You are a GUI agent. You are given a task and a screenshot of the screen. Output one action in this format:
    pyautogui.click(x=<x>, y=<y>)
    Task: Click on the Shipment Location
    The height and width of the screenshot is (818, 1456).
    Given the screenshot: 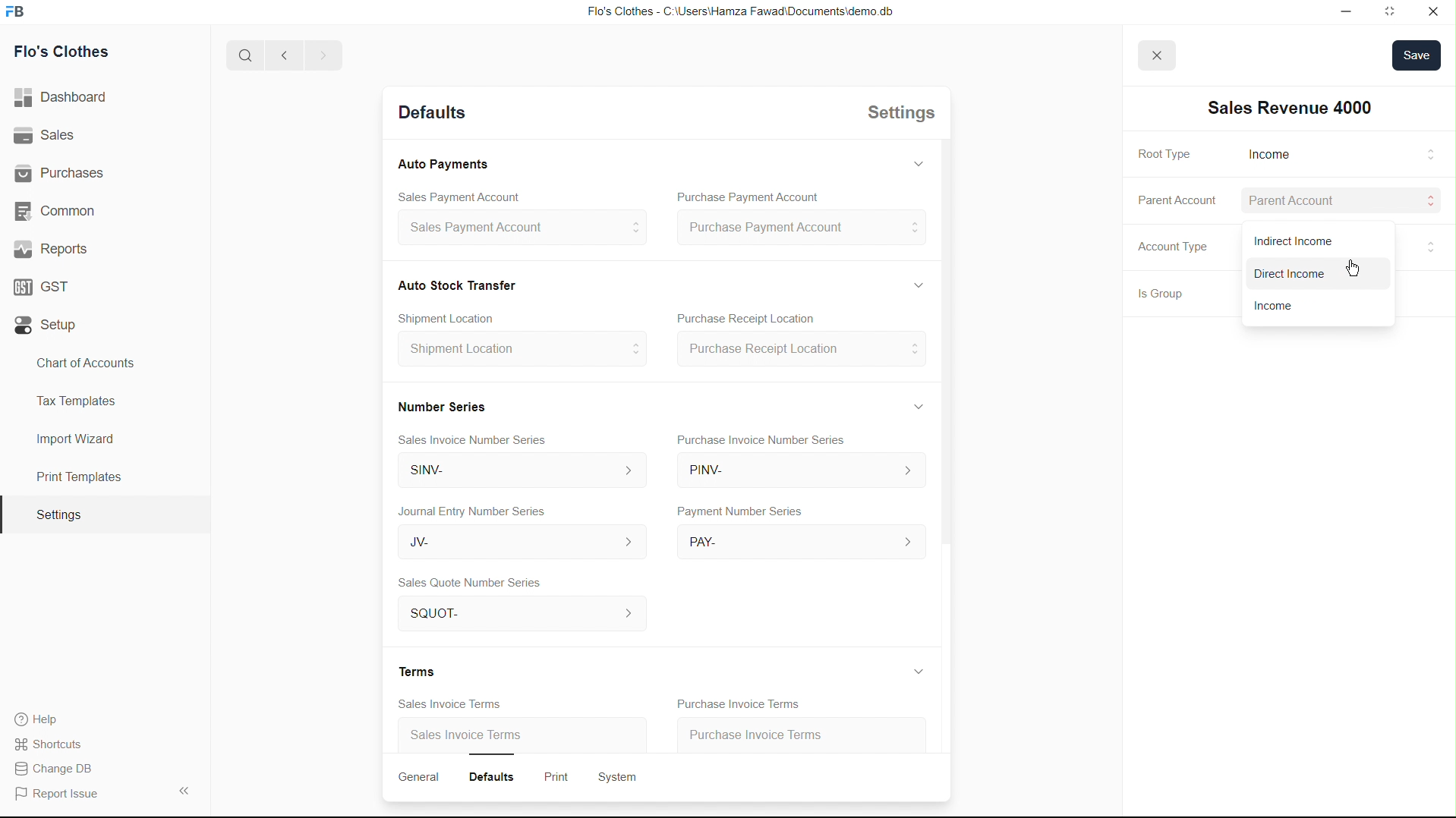 What is the action you would take?
    pyautogui.click(x=521, y=354)
    